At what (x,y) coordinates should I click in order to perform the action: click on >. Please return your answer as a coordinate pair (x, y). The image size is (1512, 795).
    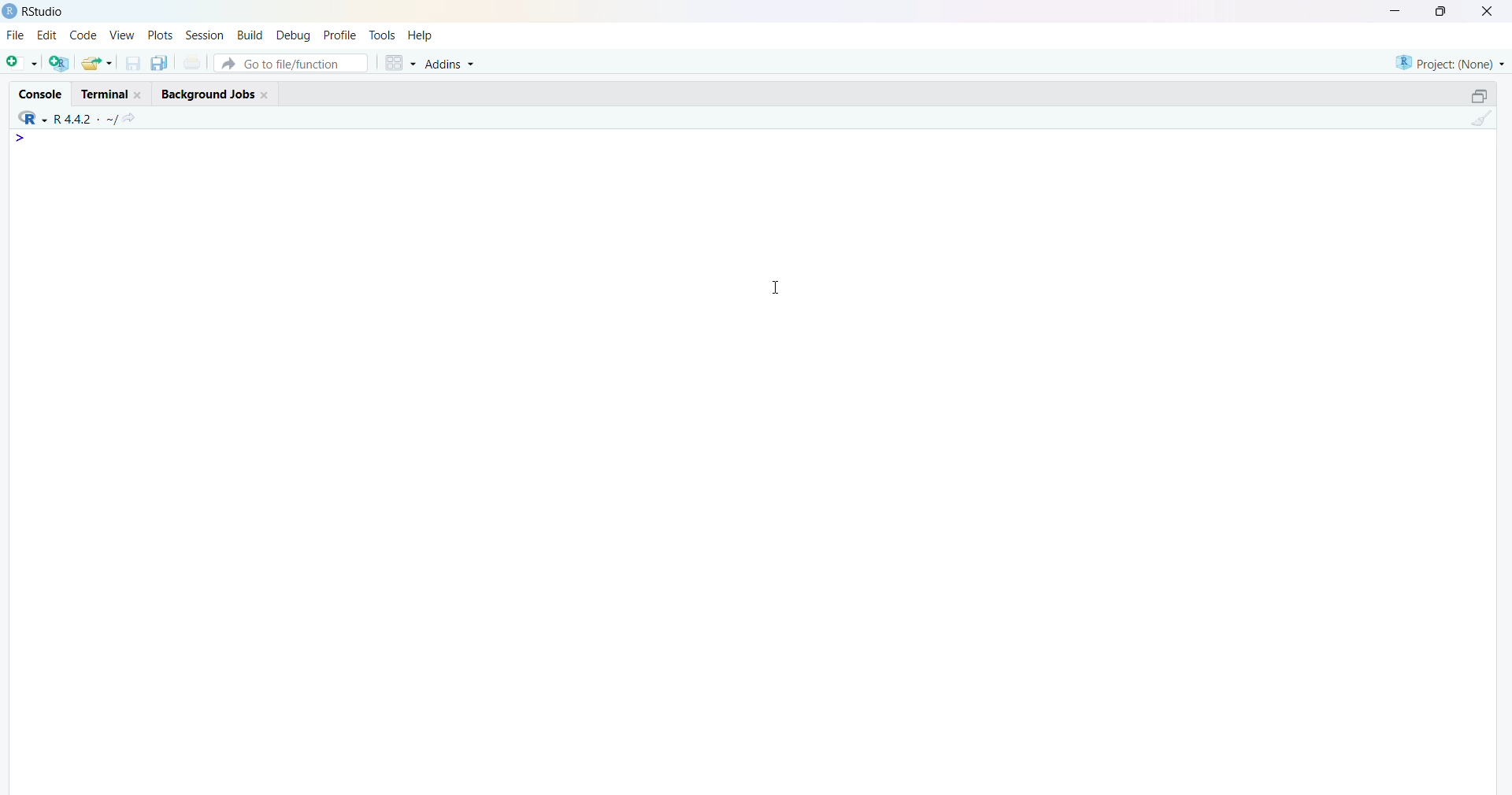
    Looking at the image, I should click on (22, 138).